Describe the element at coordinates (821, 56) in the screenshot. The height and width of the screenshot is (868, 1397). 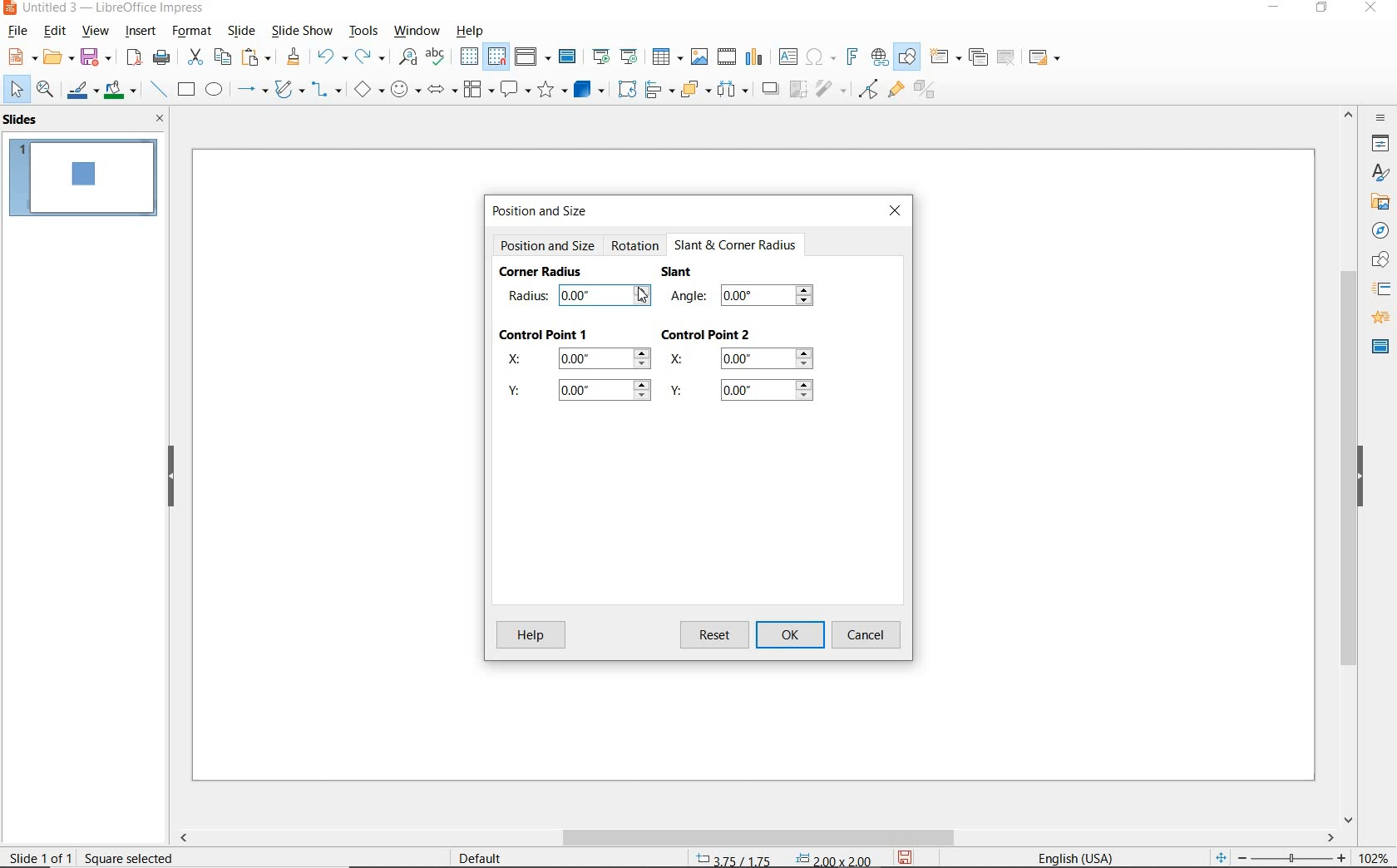
I see `insert special characters` at that location.